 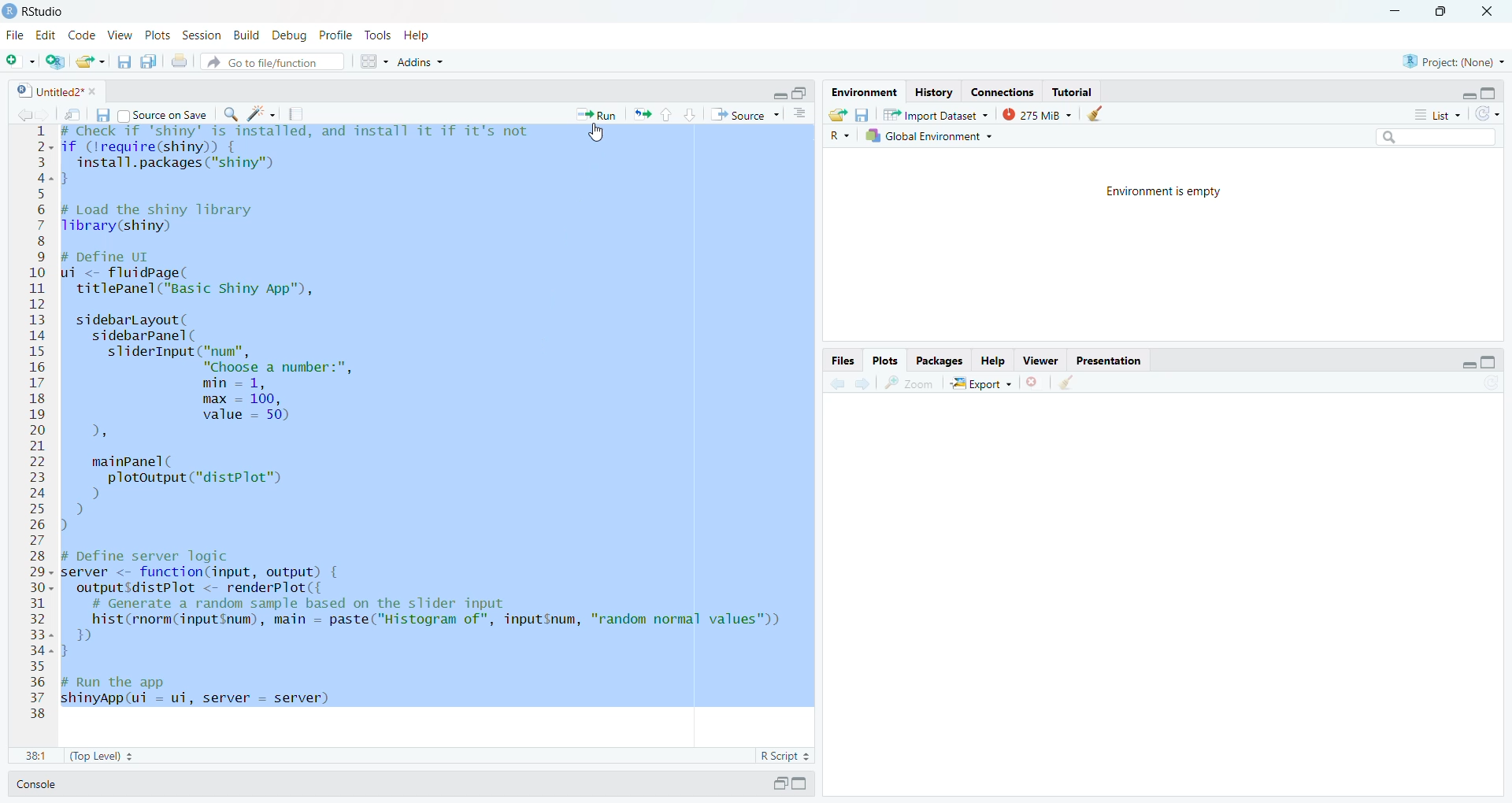 What do you see at coordinates (800, 113) in the screenshot?
I see `options` at bounding box center [800, 113].